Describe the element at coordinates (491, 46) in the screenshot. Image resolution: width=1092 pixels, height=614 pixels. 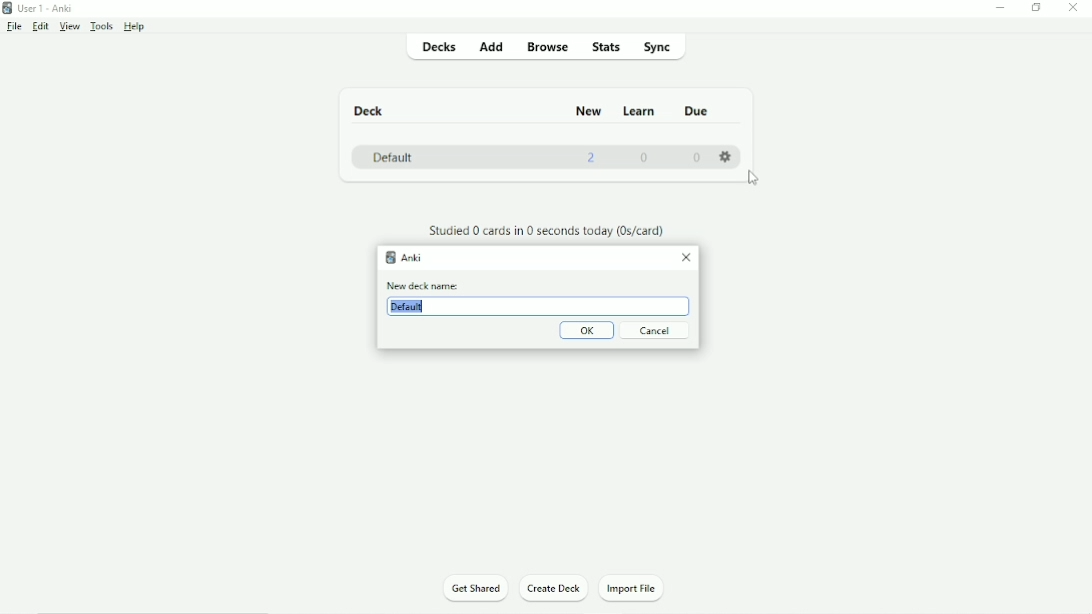
I see `Add` at that location.